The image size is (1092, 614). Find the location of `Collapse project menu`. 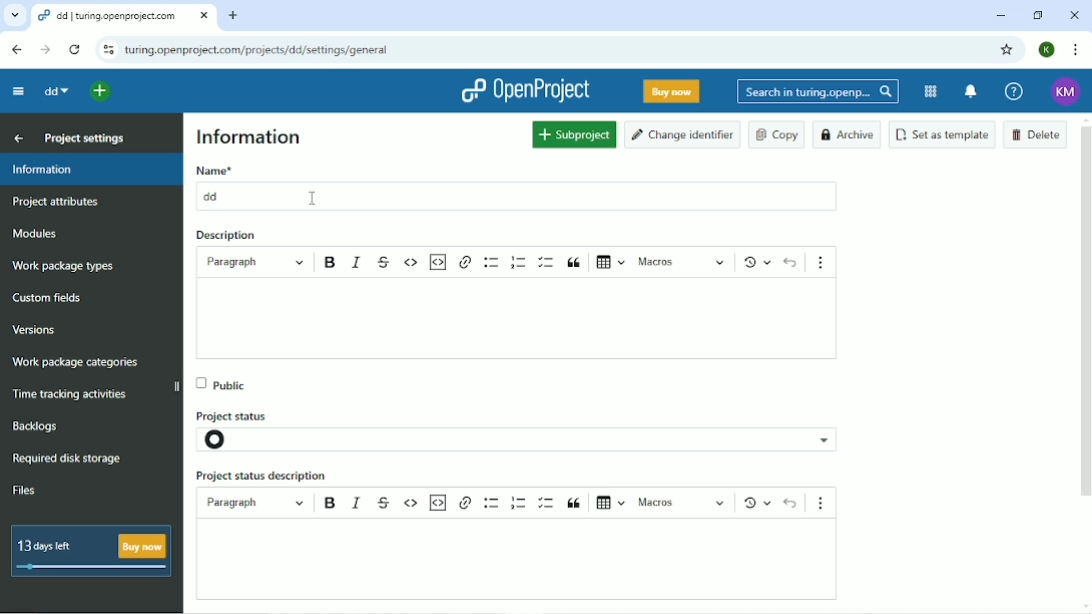

Collapse project menu is located at coordinates (19, 92).